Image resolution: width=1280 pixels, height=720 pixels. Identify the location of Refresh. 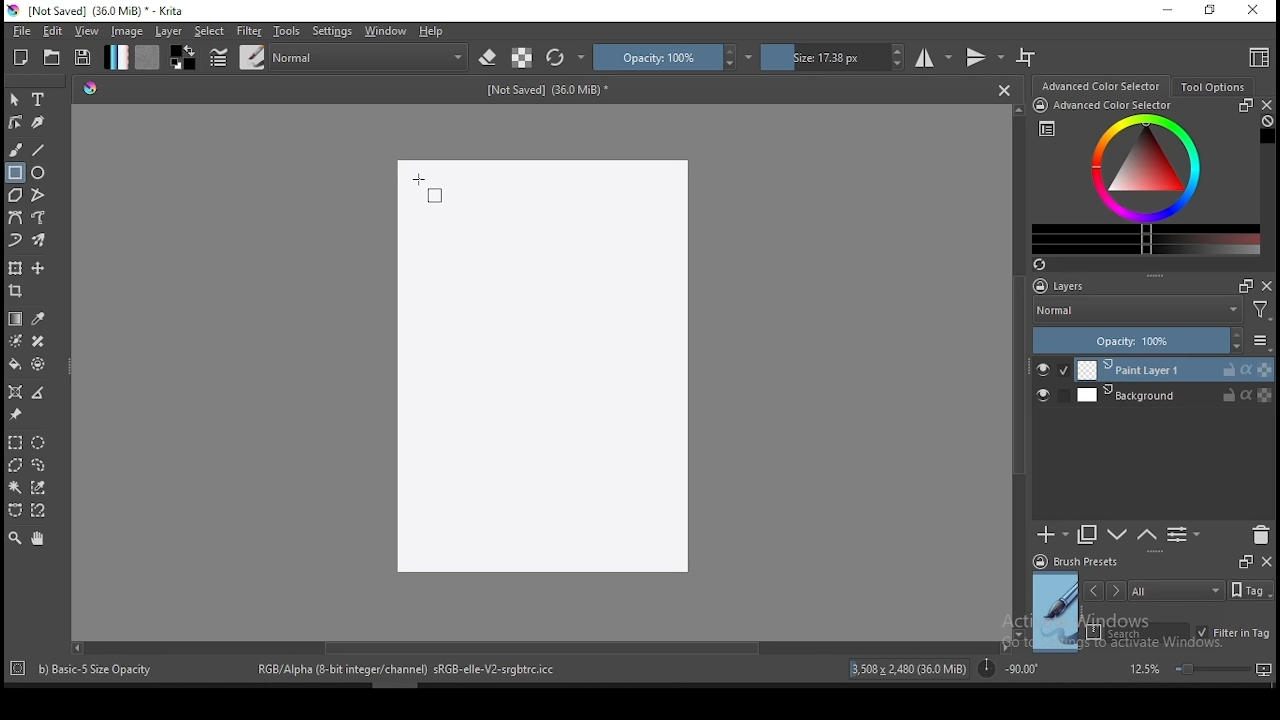
(1047, 266).